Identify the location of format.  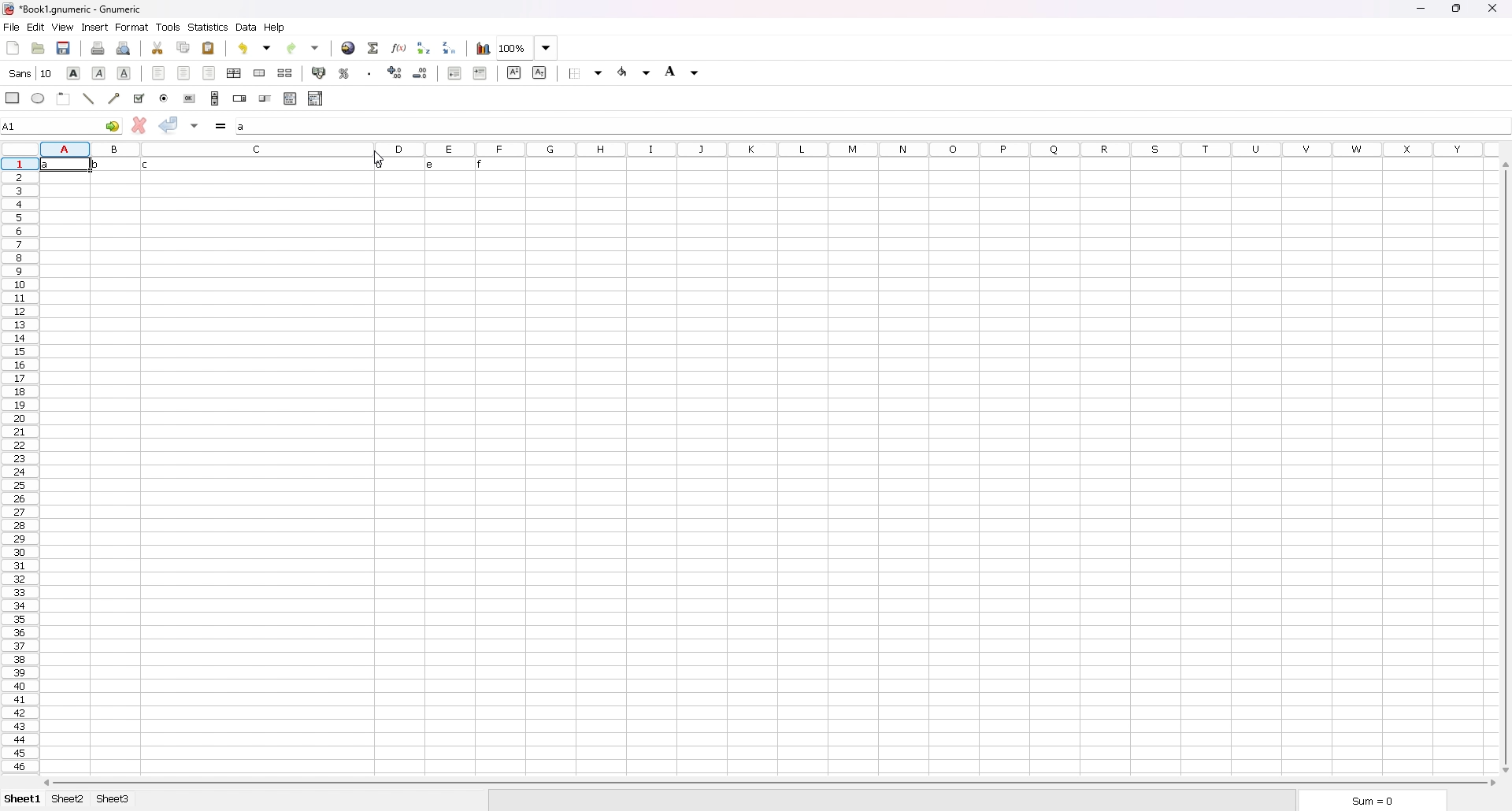
(132, 27).